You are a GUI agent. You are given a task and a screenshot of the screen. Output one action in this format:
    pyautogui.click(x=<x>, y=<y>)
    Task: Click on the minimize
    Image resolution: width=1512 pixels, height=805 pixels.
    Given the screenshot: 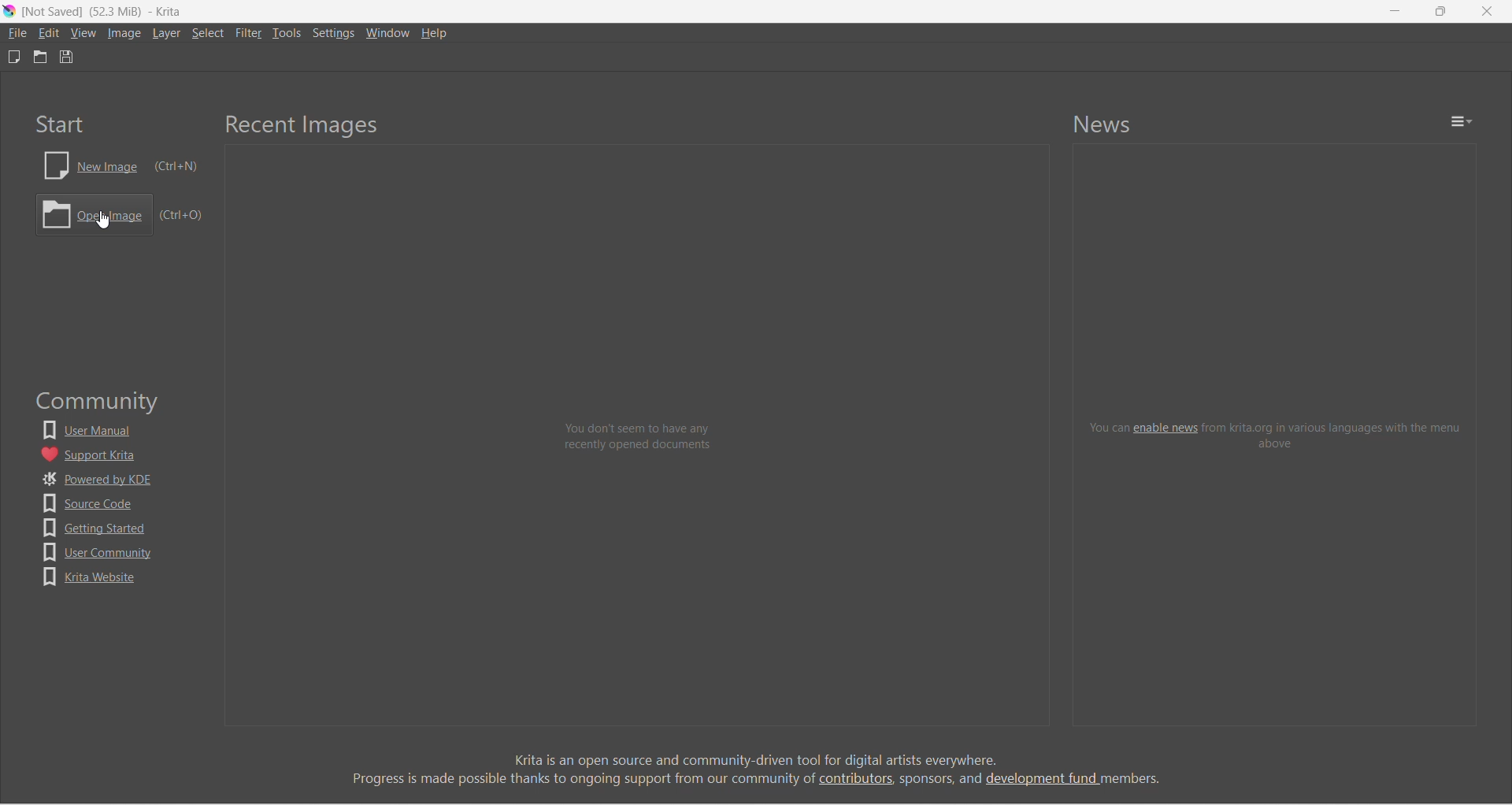 What is the action you would take?
    pyautogui.click(x=1395, y=11)
    